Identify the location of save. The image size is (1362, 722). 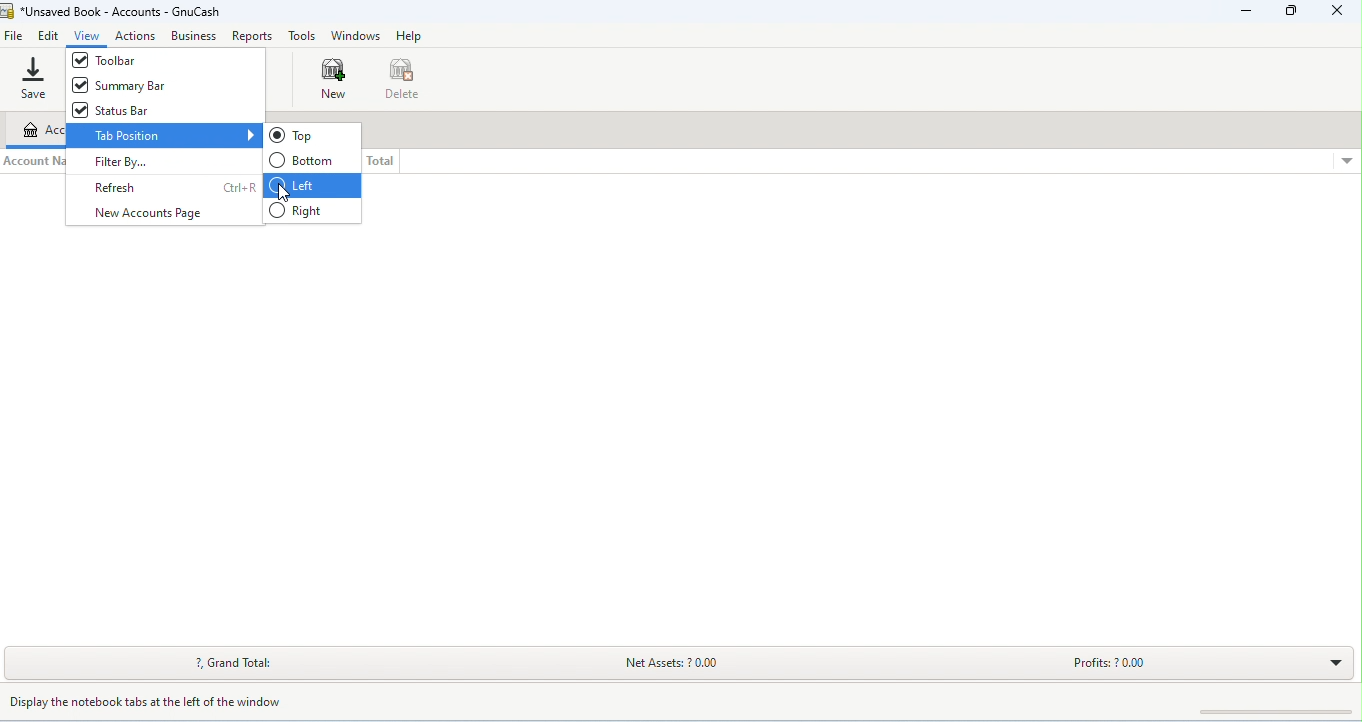
(37, 79).